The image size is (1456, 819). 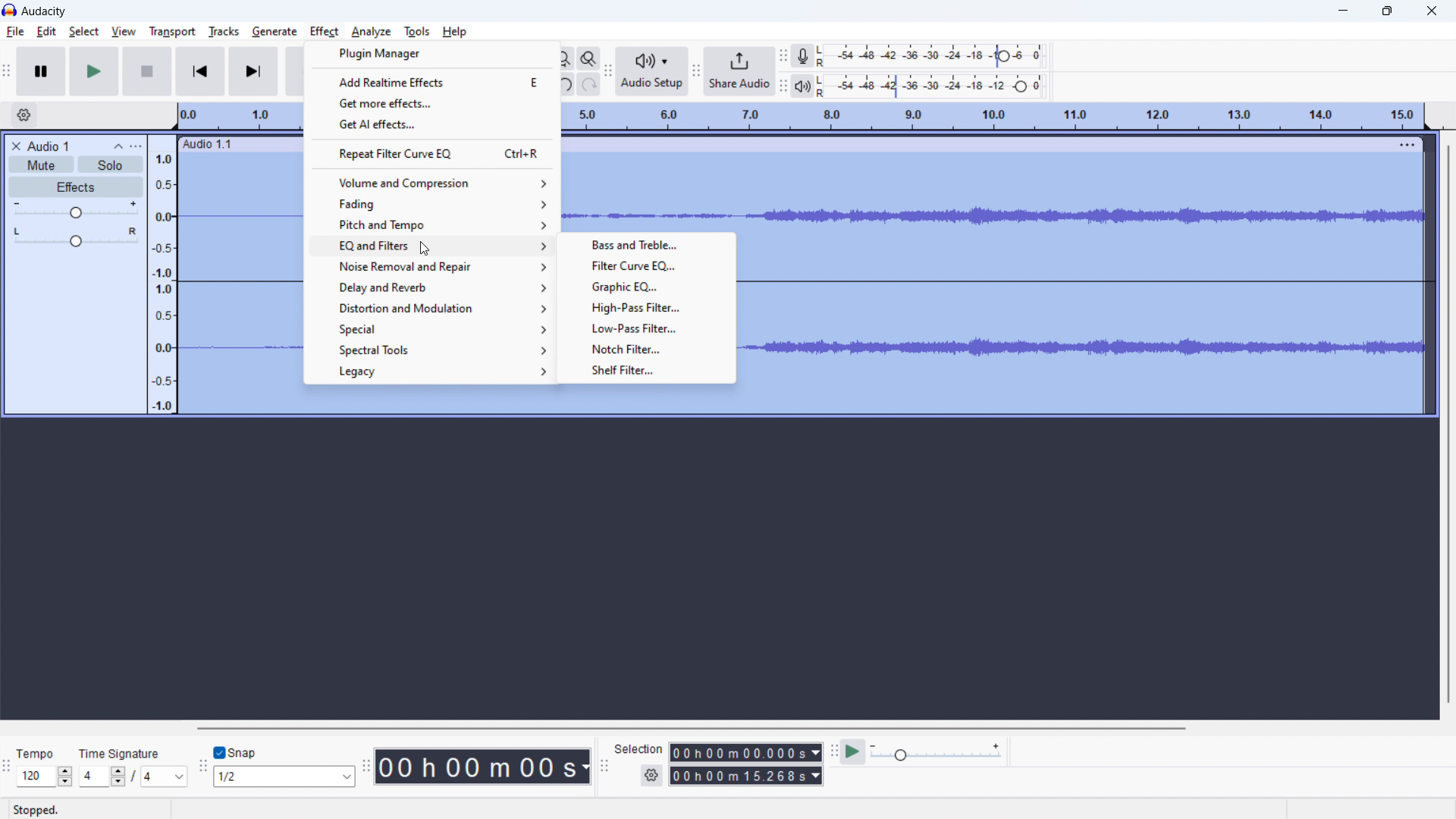 I want to click on view menu, so click(x=136, y=146).